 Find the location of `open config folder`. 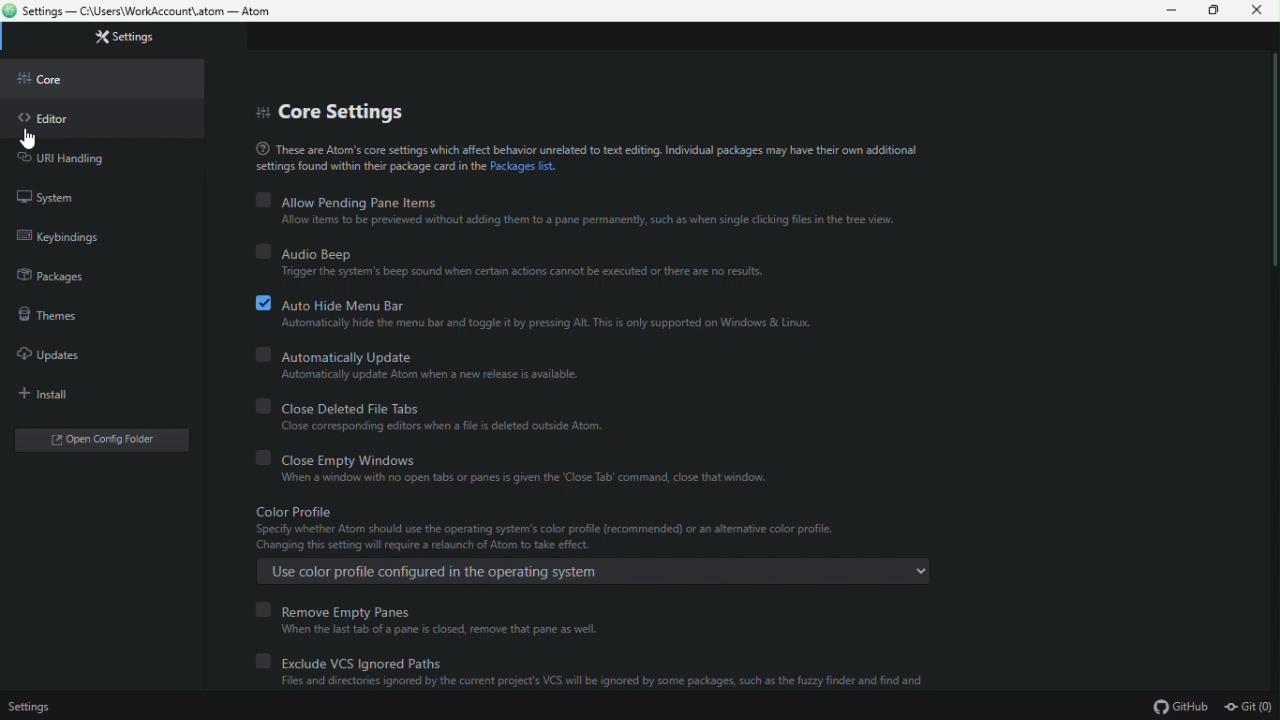

open config folder is located at coordinates (107, 442).